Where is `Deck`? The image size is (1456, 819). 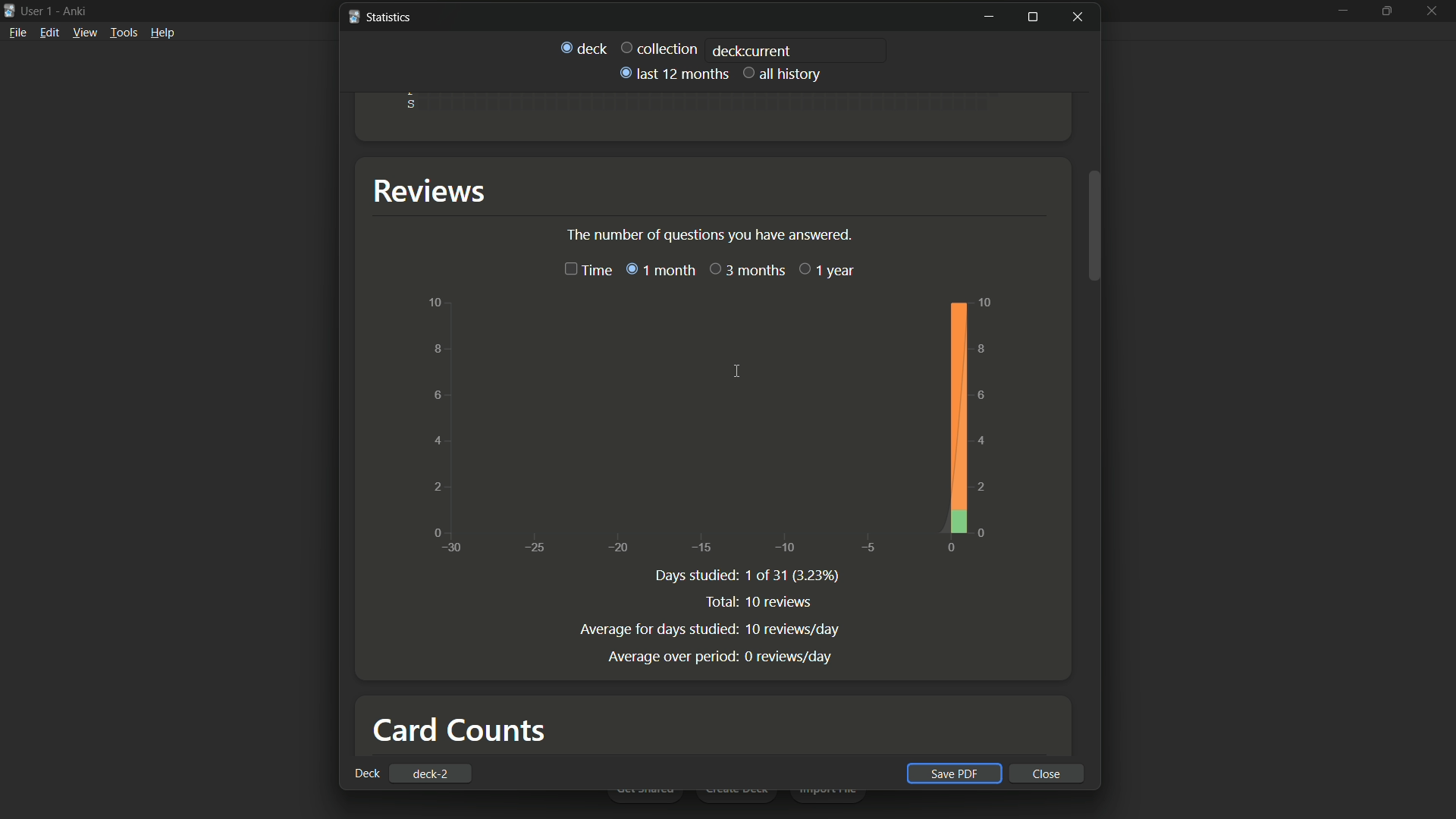 Deck is located at coordinates (366, 773).